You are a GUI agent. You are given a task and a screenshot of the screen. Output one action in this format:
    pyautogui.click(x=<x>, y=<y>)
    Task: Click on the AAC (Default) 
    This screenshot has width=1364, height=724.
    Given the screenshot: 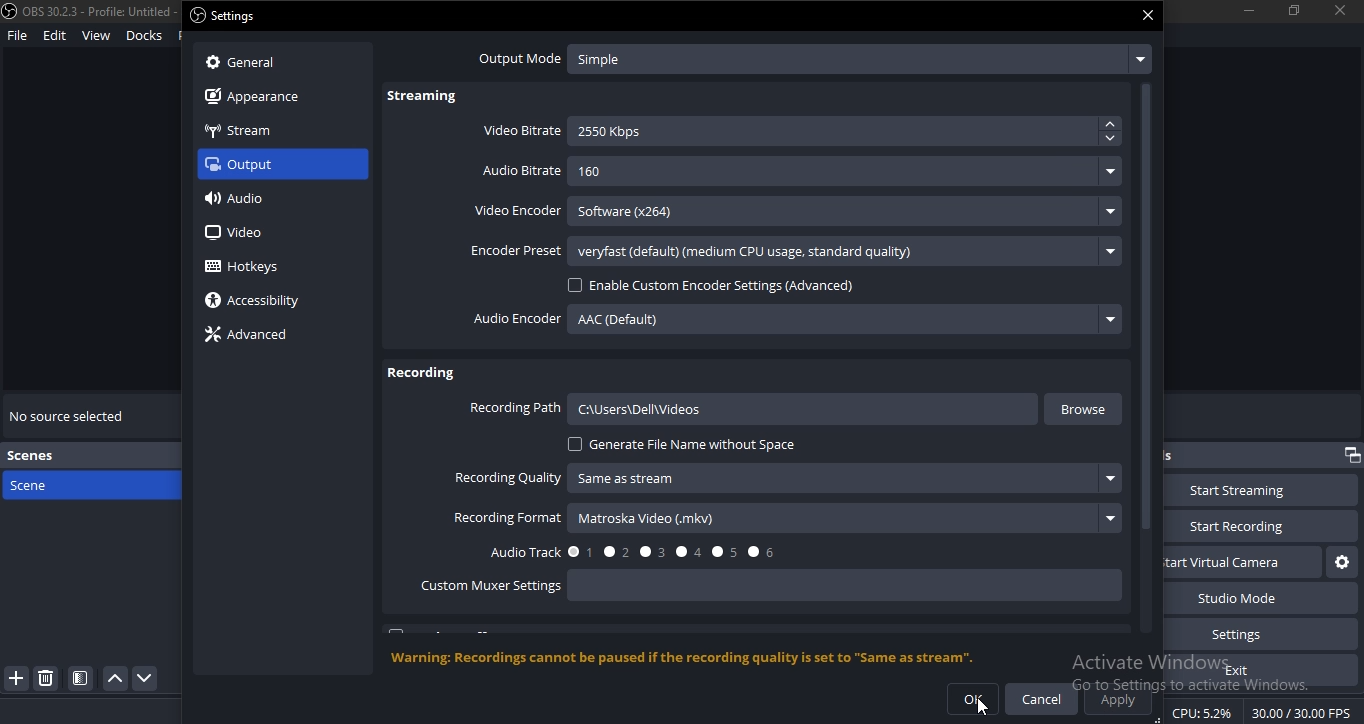 What is the action you would take?
    pyautogui.click(x=847, y=321)
    